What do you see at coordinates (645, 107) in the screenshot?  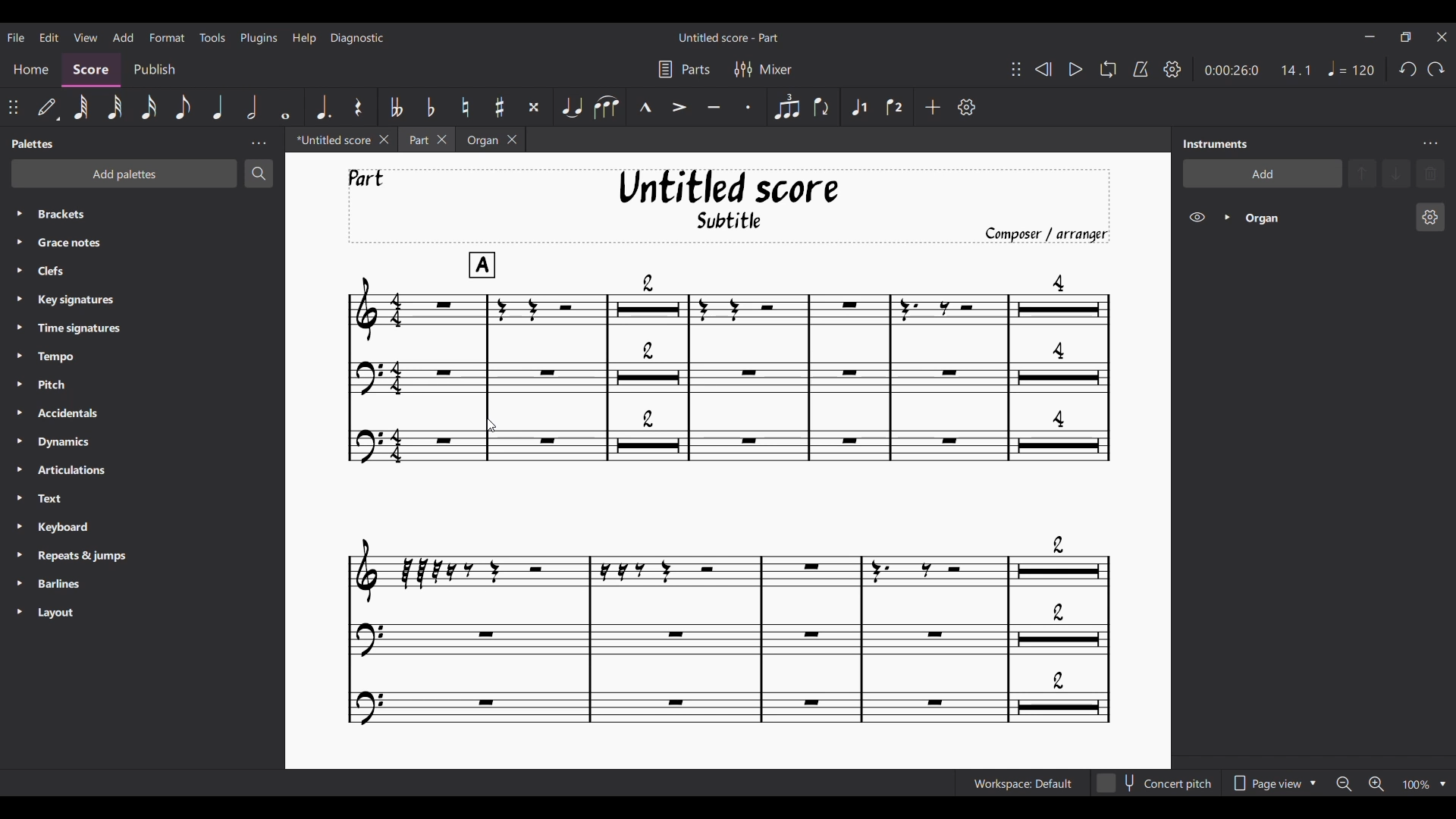 I see `Marcato` at bounding box center [645, 107].